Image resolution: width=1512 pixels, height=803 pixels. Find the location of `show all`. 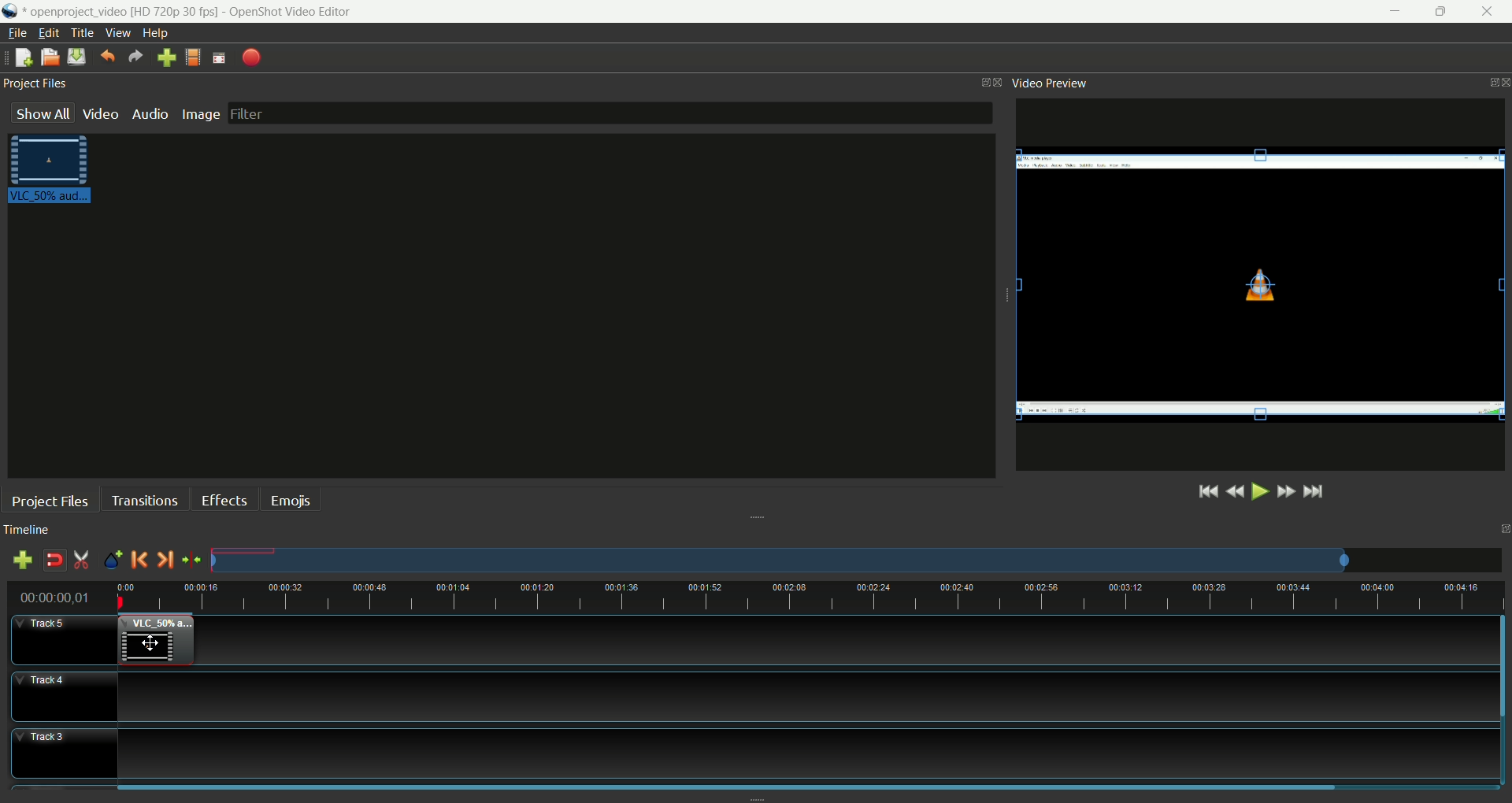

show all is located at coordinates (44, 117).